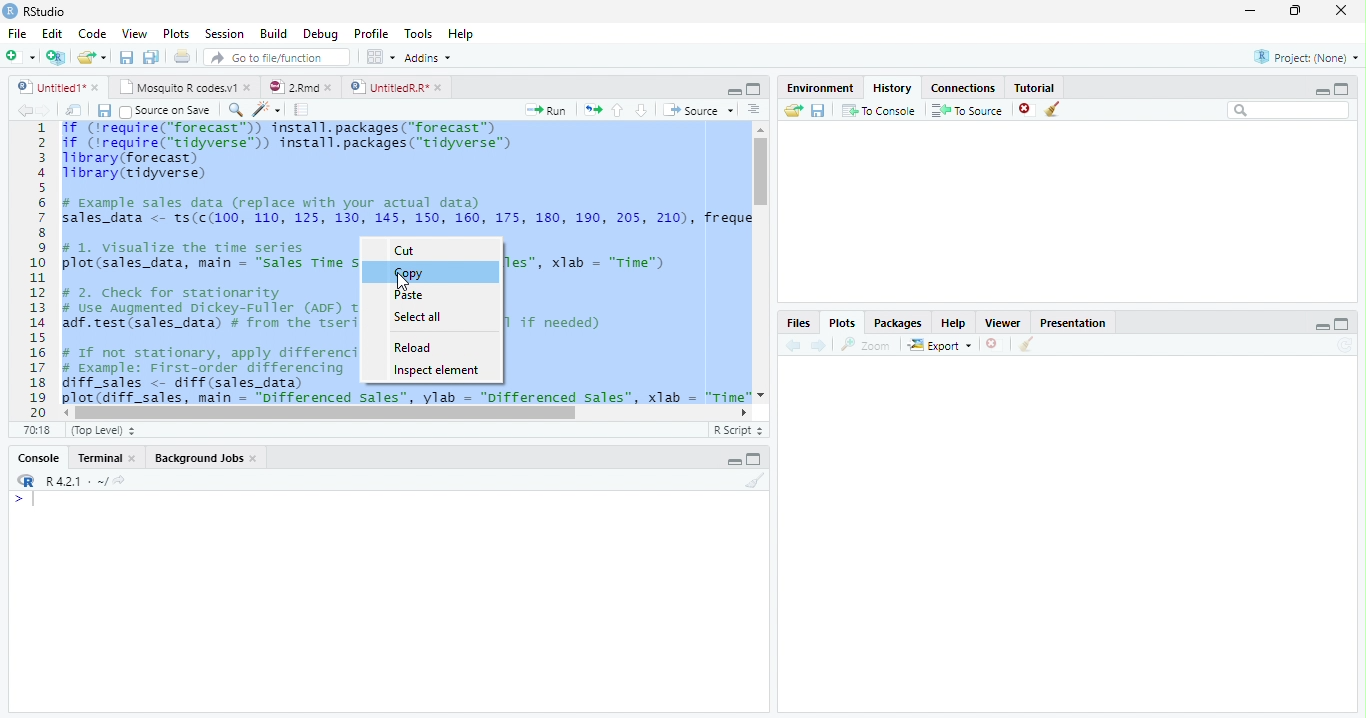 The image size is (1366, 718). What do you see at coordinates (299, 151) in the screenshot?
I see `if (‘require("forecast”)) install.packages("forecast™)
if (irequire("tidyverse™) install.packages("tidyverse™)
library (forecast)

Tibrary(tidyverse)` at bounding box center [299, 151].